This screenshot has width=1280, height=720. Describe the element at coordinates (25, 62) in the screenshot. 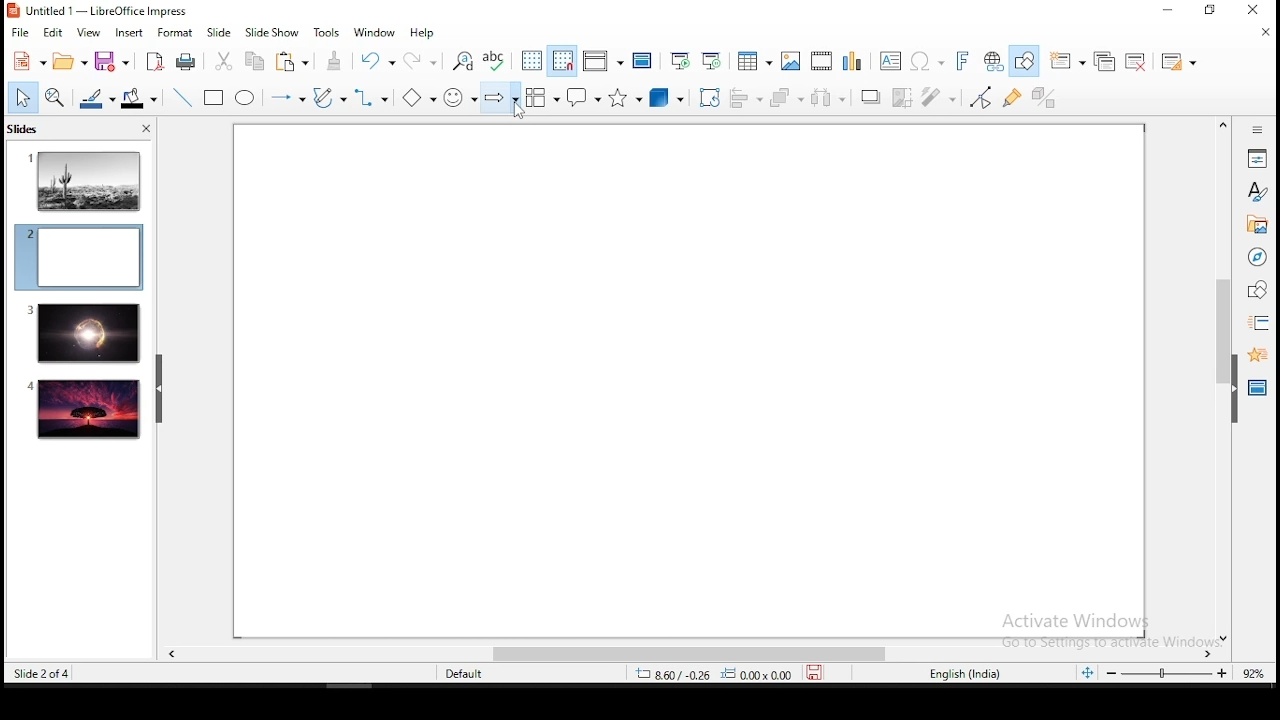

I see `new` at that location.